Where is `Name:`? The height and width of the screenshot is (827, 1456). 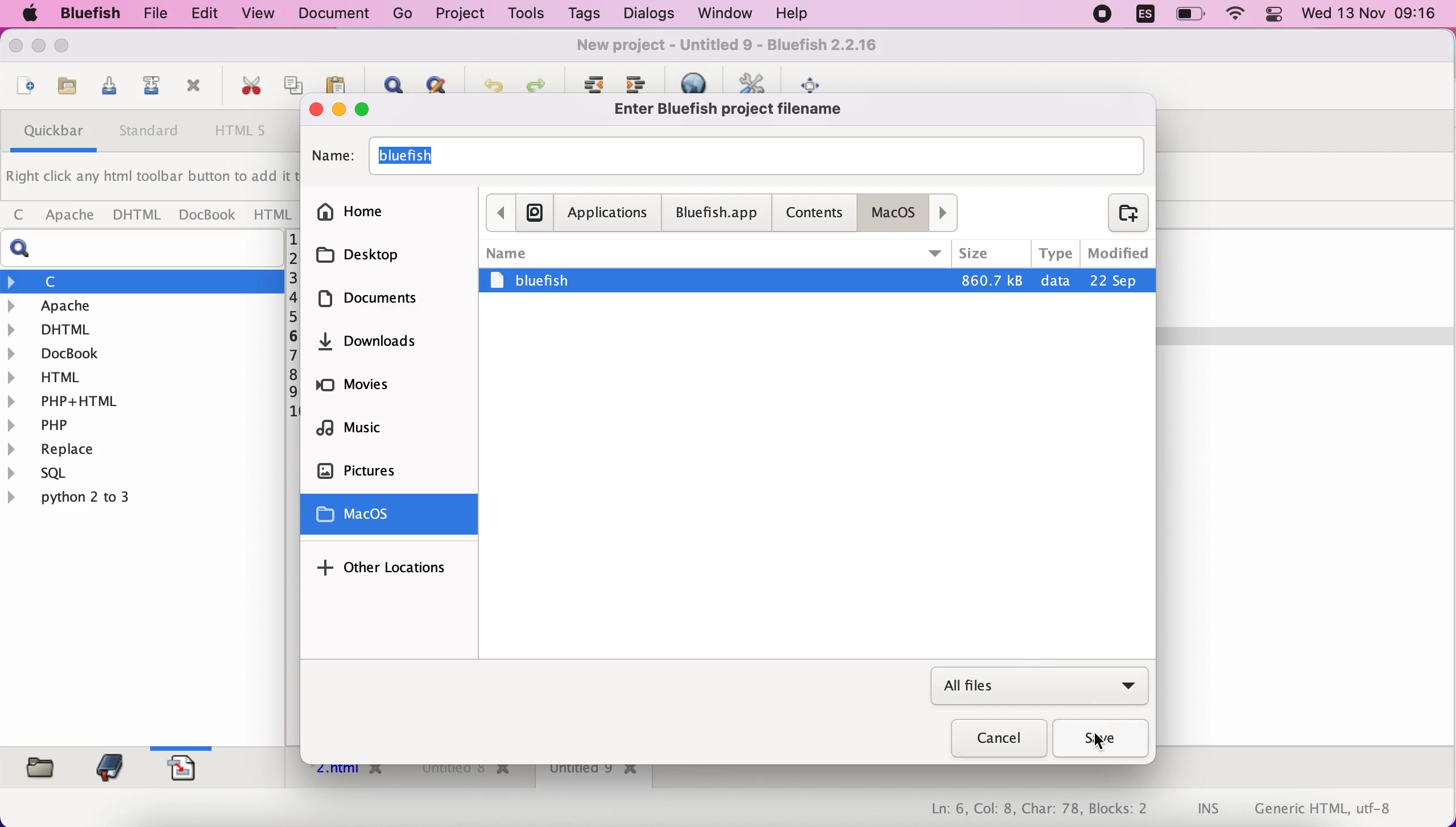
Name: is located at coordinates (331, 156).